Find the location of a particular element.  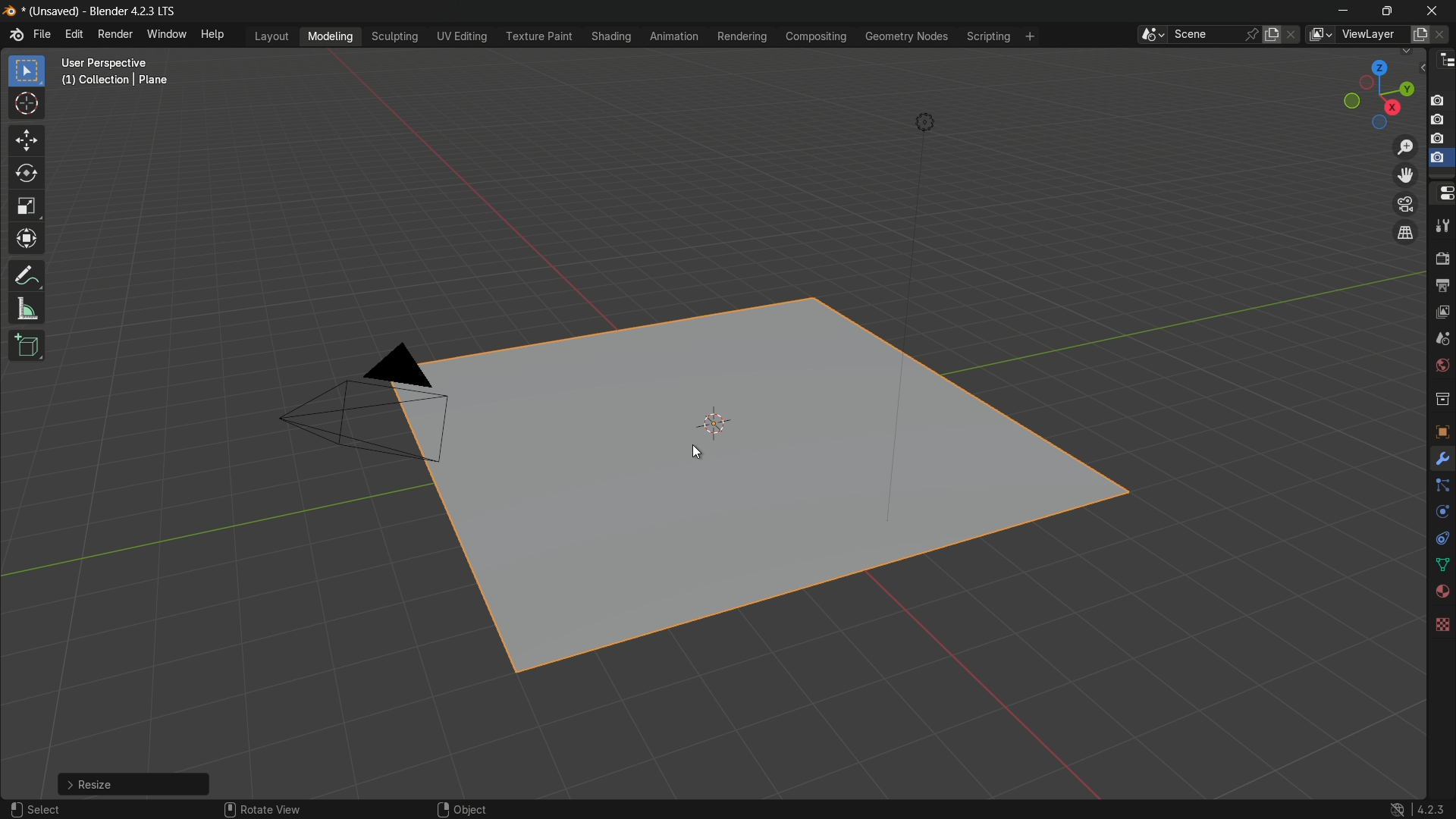

maximize or restore is located at coordinates (1392, 11).